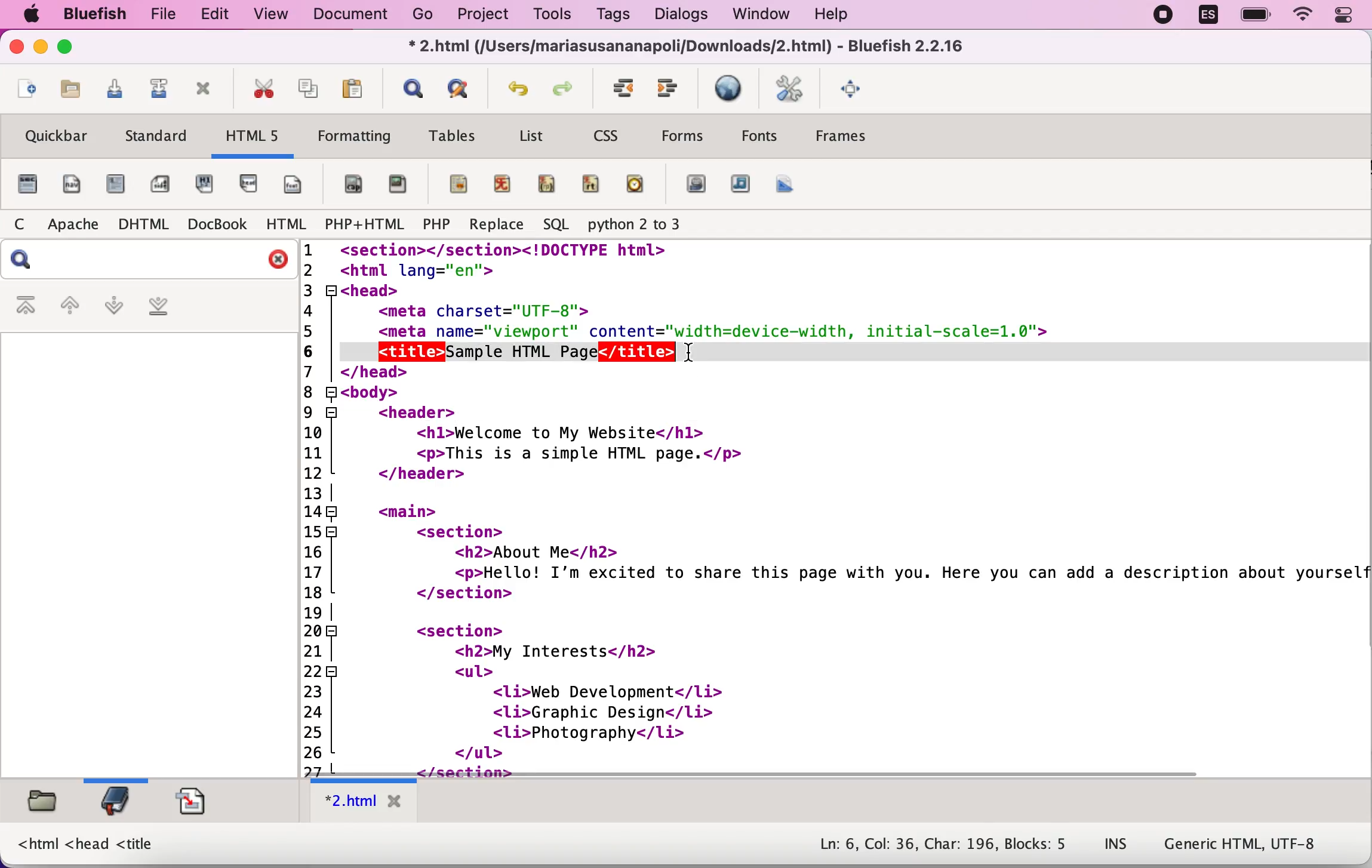 Image resolution: width=1372 pixels, height=868 pixels. I want to click on fonts, so click(759, 139).